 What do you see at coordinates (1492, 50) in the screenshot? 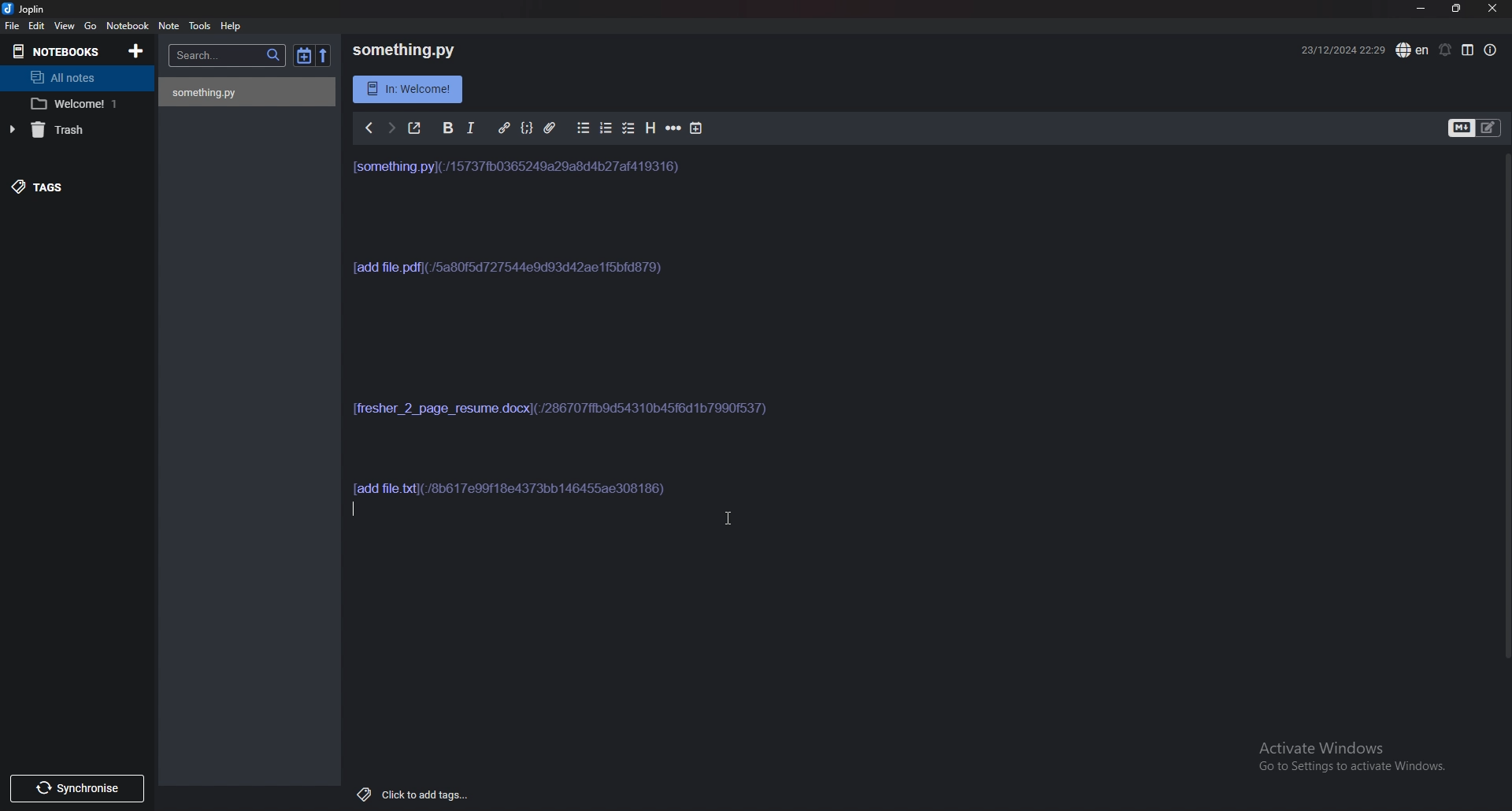
I see `Properties` at bounding box center [1492, 50].